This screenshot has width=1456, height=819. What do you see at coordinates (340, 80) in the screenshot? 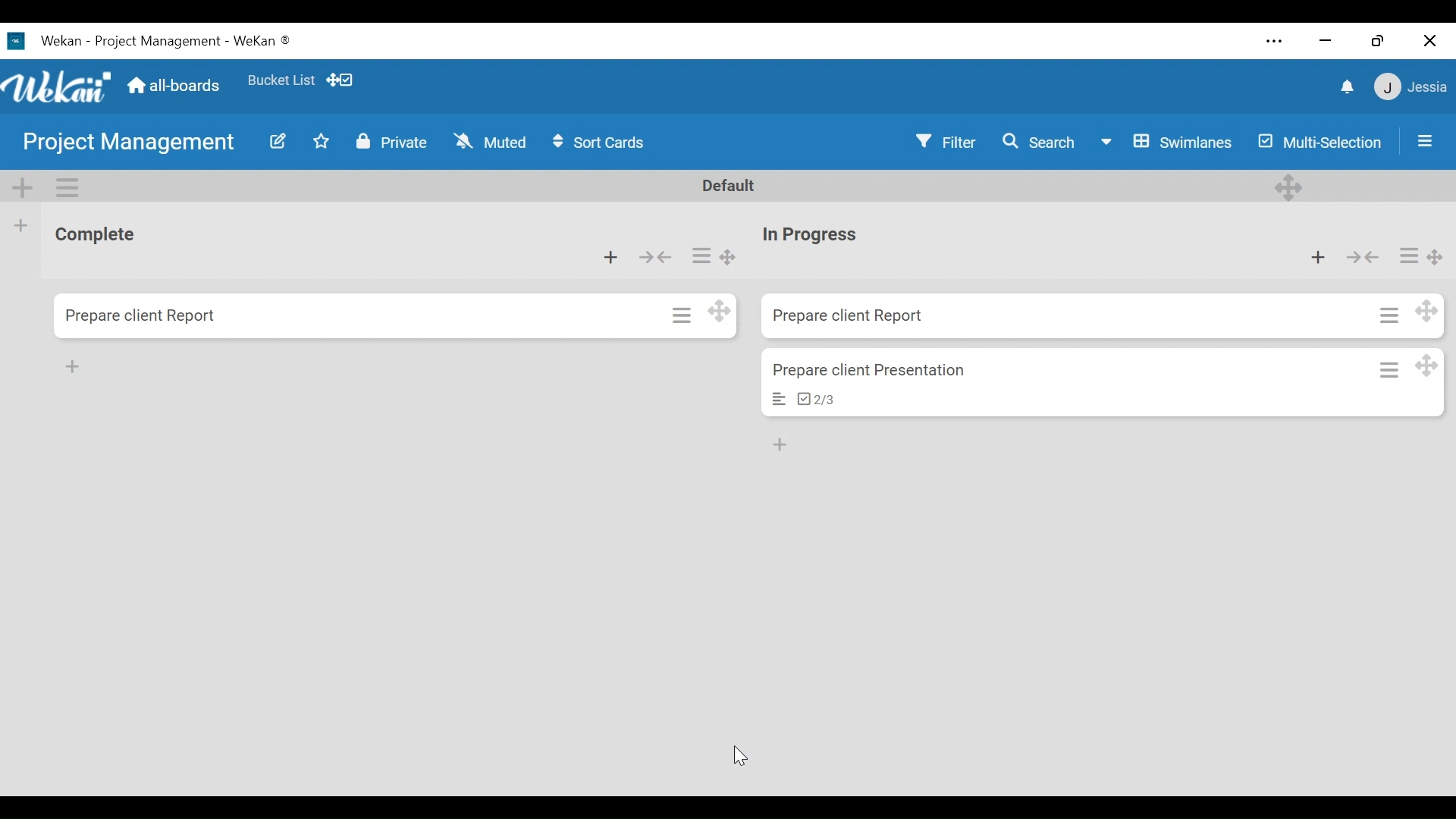
I see `Desktop drag handles` at bounding box center [340, 80].